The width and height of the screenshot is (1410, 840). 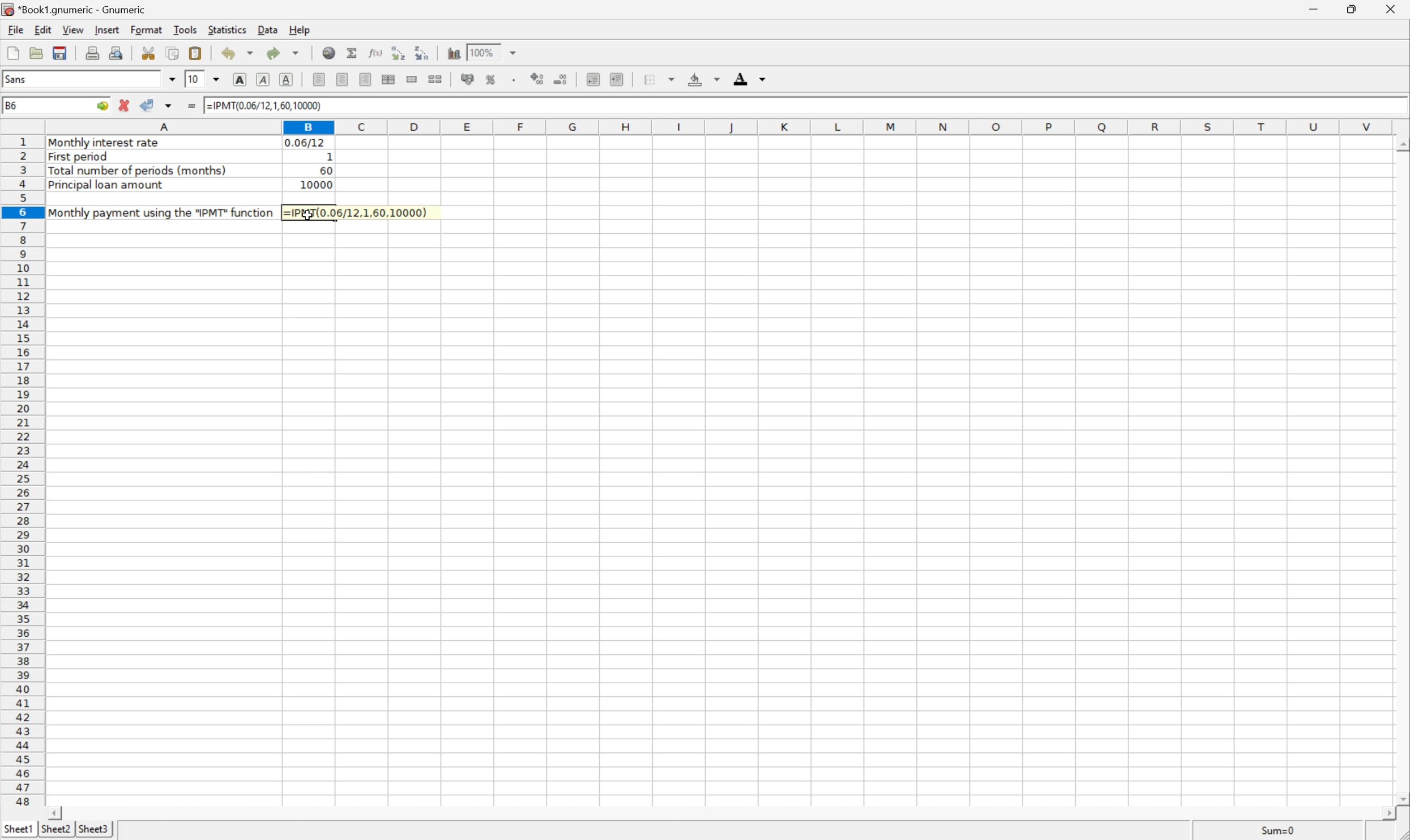 What do you see at coordinates (366, 79) in the screenshot?
I see `Align Right` at bounding box center [366, 79].